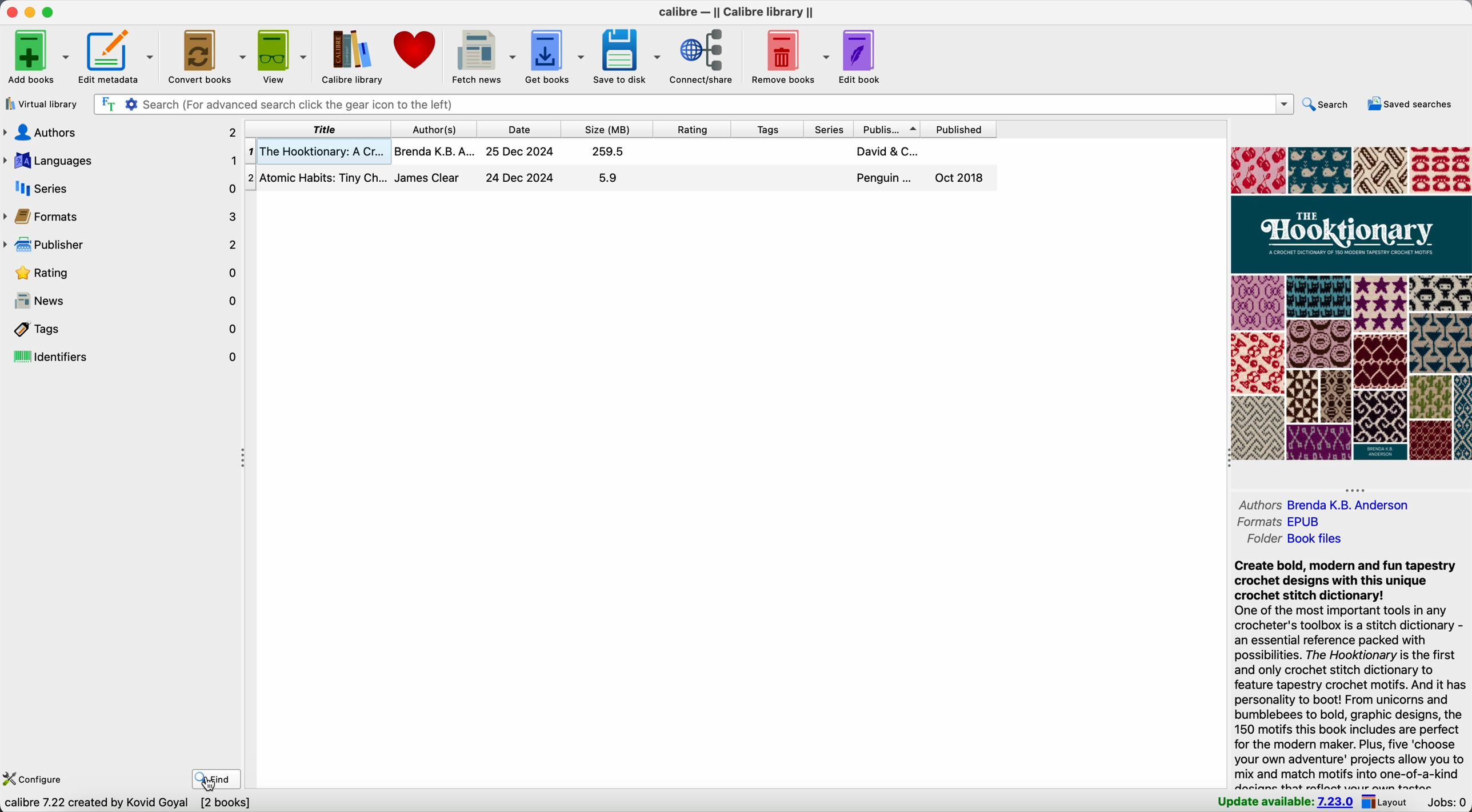  Describe the element at coordinates (208, 781) in the screenshot. I see `cursor` at that location.